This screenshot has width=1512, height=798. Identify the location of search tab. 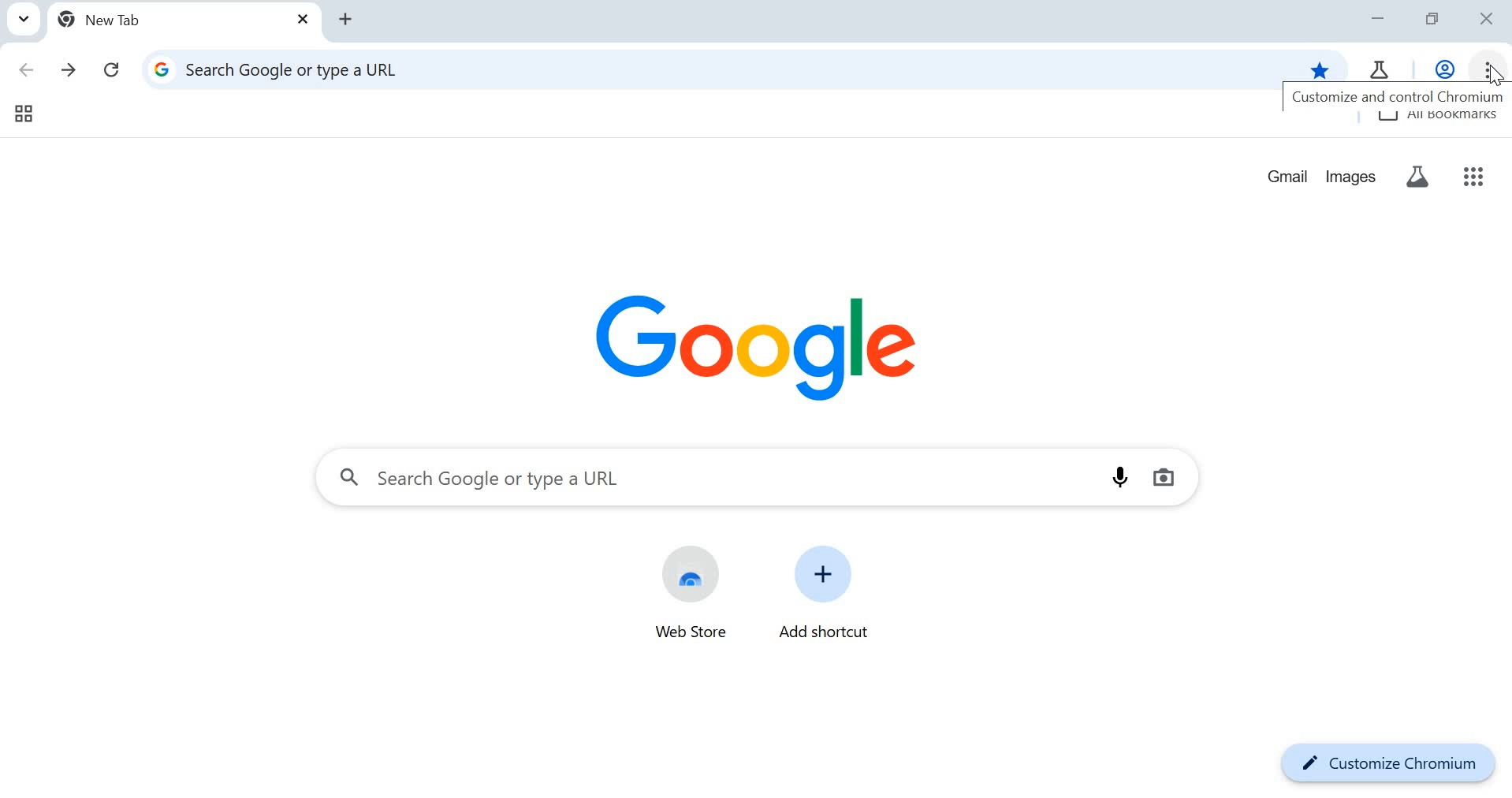
(704, 480).